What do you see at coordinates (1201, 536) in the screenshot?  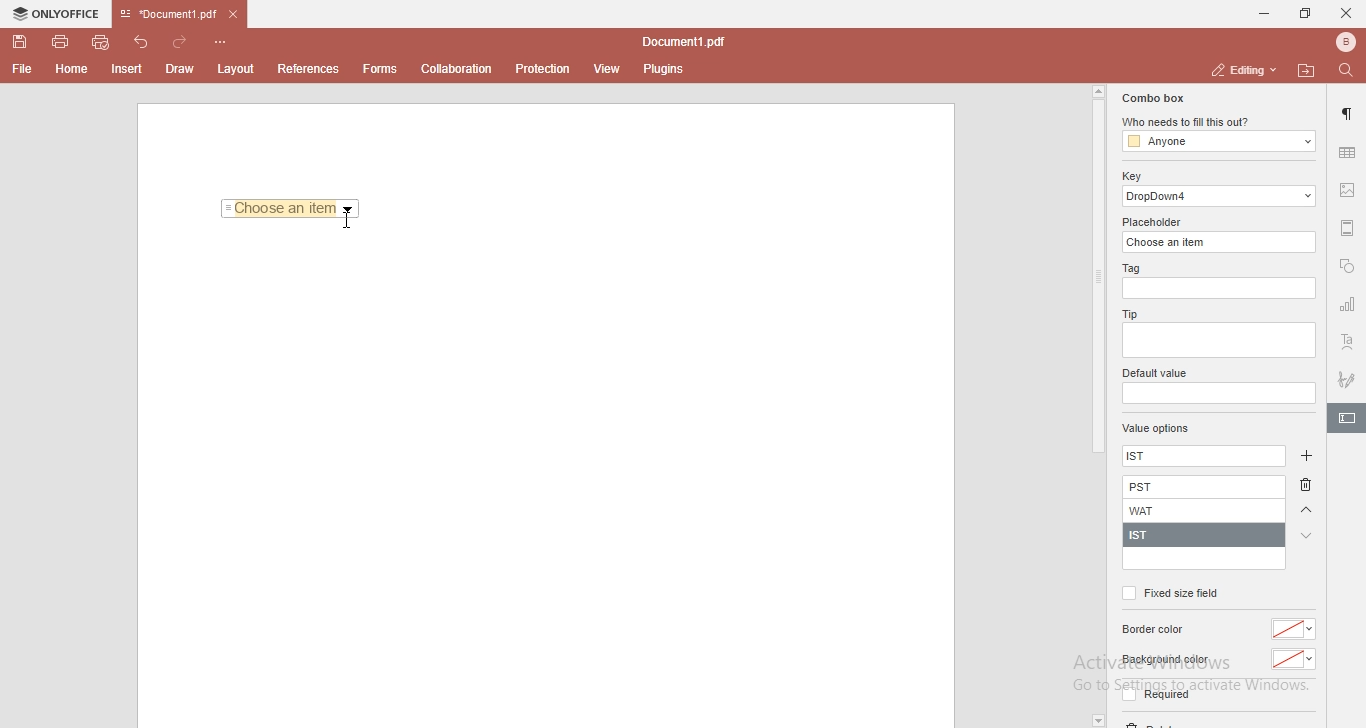 I see `IST added` at bounding box center [1201, 536].